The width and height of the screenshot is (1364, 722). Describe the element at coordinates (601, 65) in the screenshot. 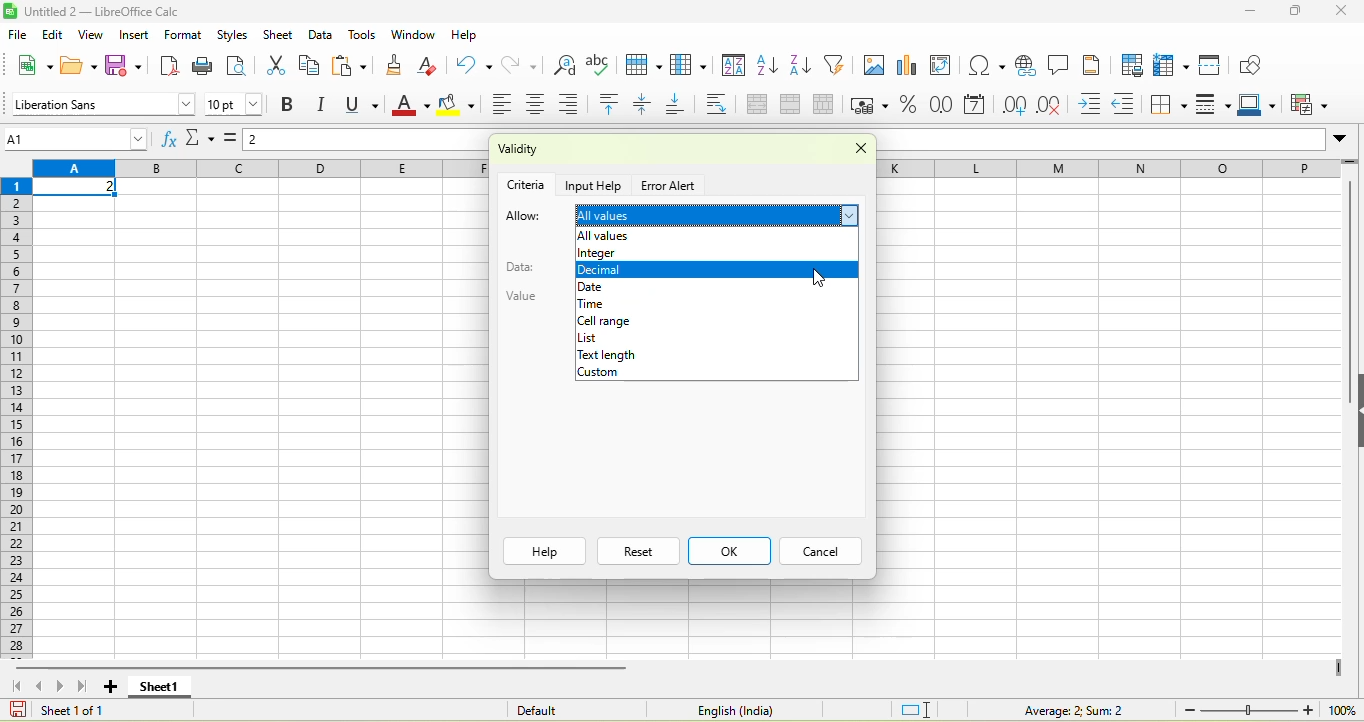

I see `spelling` at that location.